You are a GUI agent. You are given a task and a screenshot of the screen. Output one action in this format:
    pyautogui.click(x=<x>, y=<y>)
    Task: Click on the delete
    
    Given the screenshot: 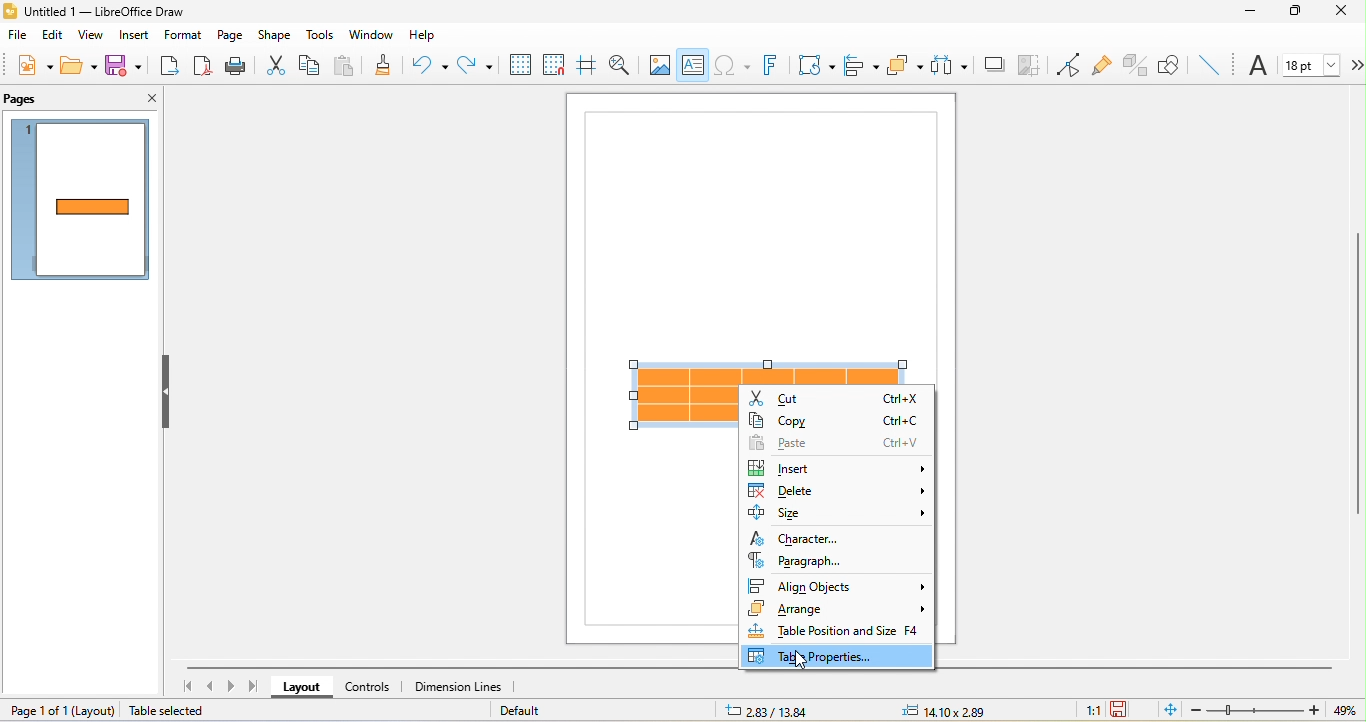 What is the action you would take?
    pyautogui.click(x=836, y=490)
    